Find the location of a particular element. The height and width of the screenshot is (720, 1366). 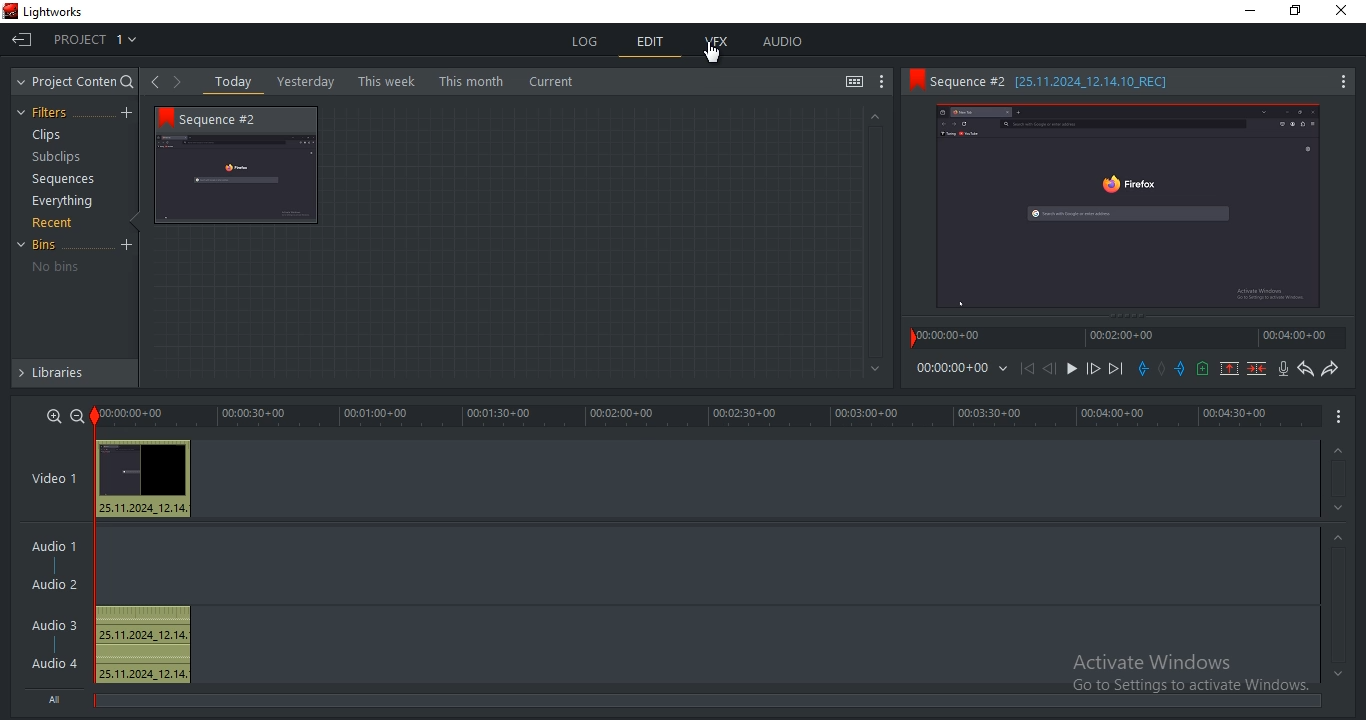

subclips is located at coordinates (61, 157).